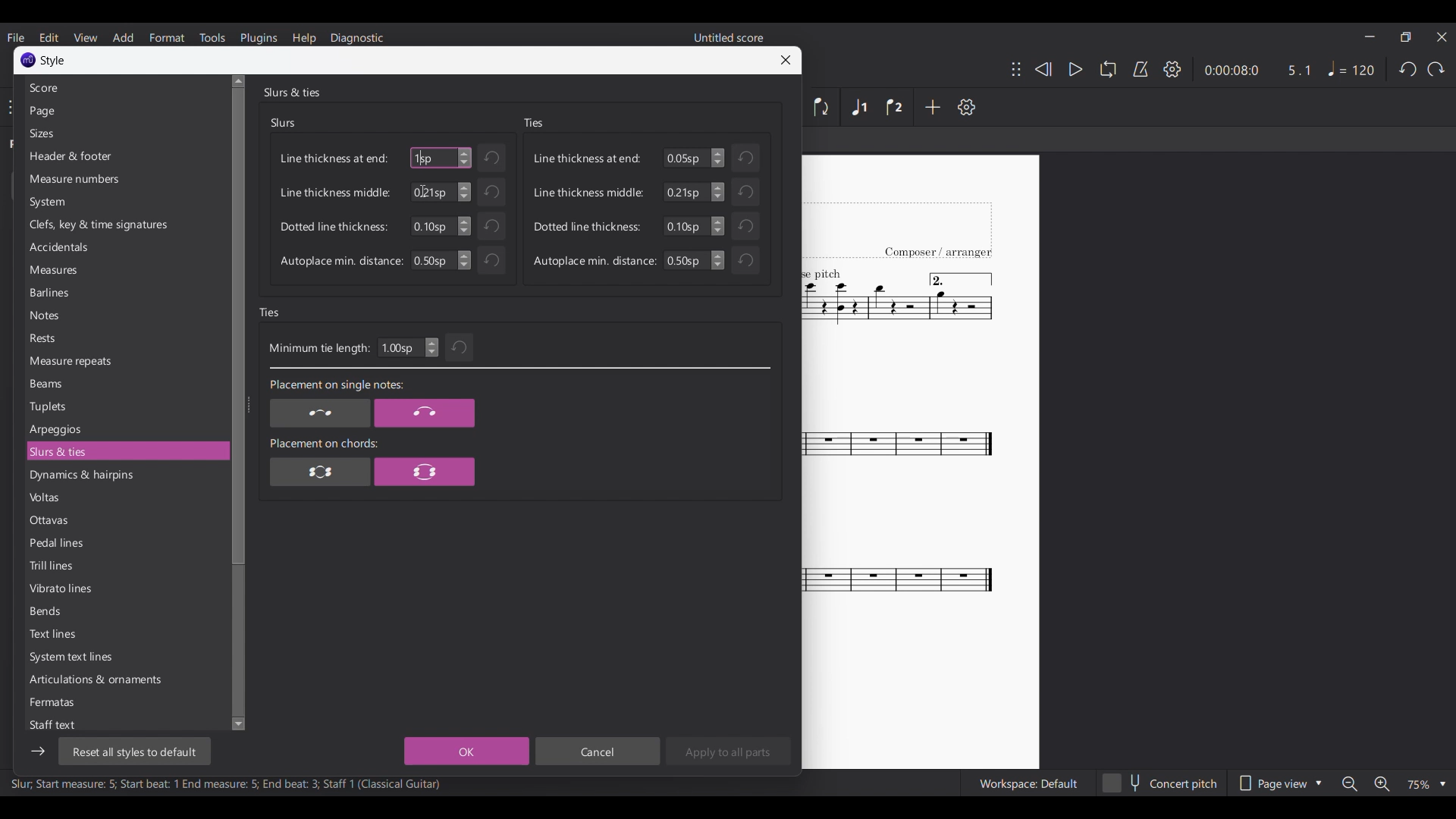 The image size is (1456, 819). I want to click on System text lines, so click(125, 657).